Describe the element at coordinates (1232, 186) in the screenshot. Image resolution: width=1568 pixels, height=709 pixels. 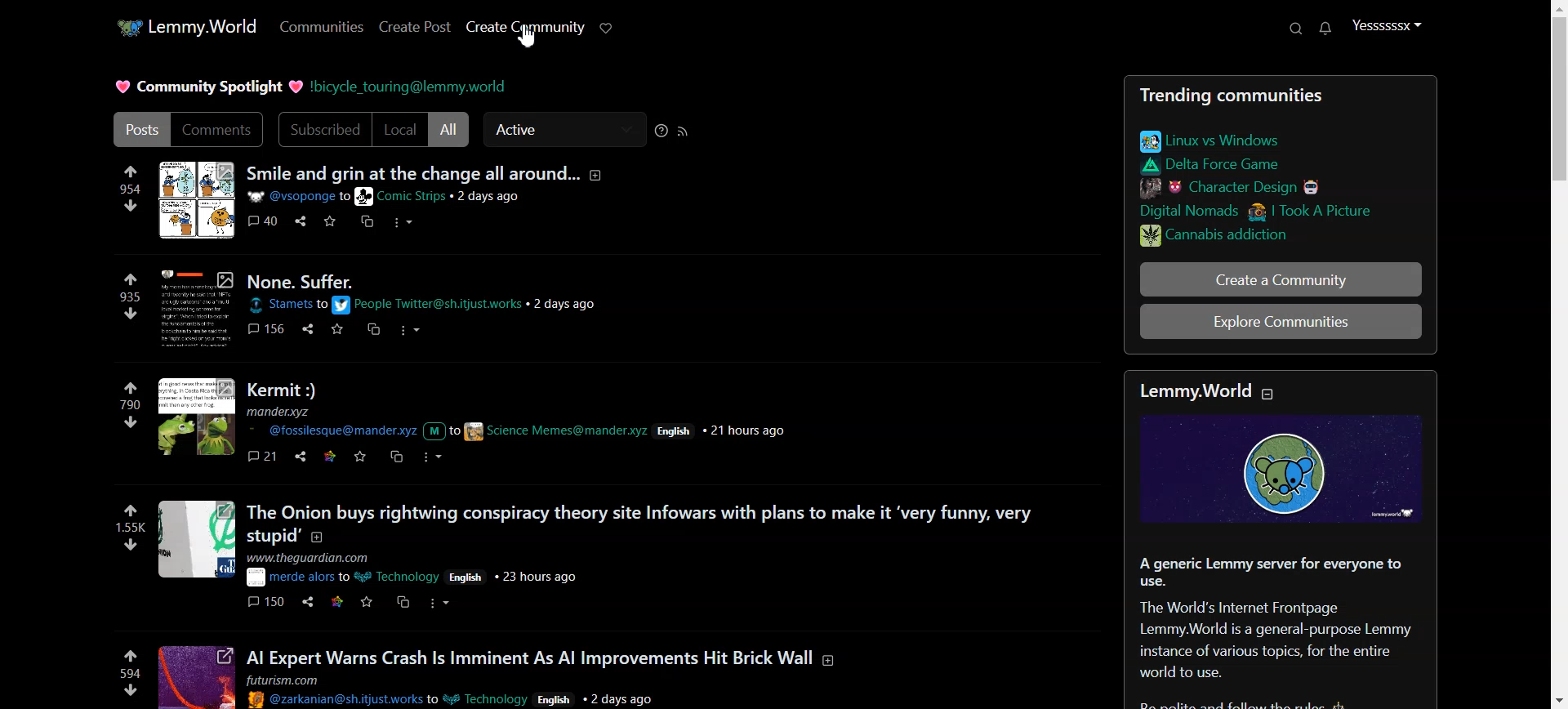
I see `link` at that location.